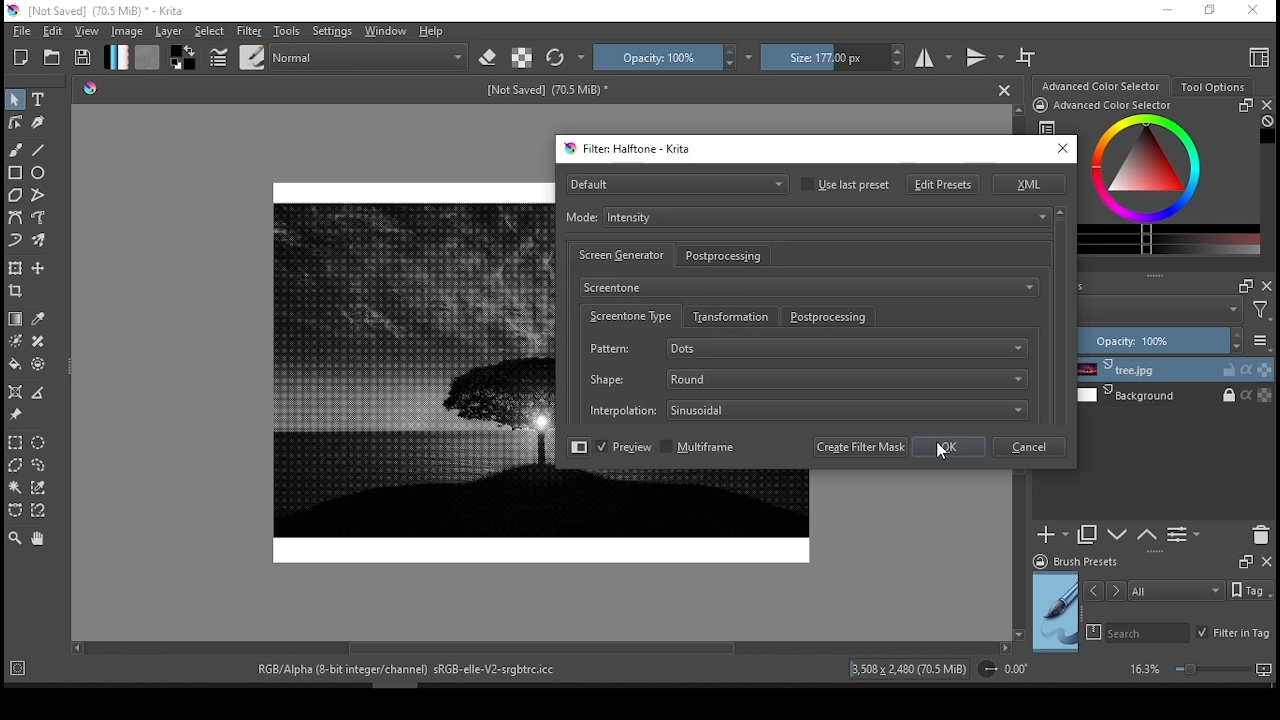 The height and width of the screenshot is (720, 1280). Describe the element at coordinates (629, 315) in the screenshot. I see `screentone type` at that location.